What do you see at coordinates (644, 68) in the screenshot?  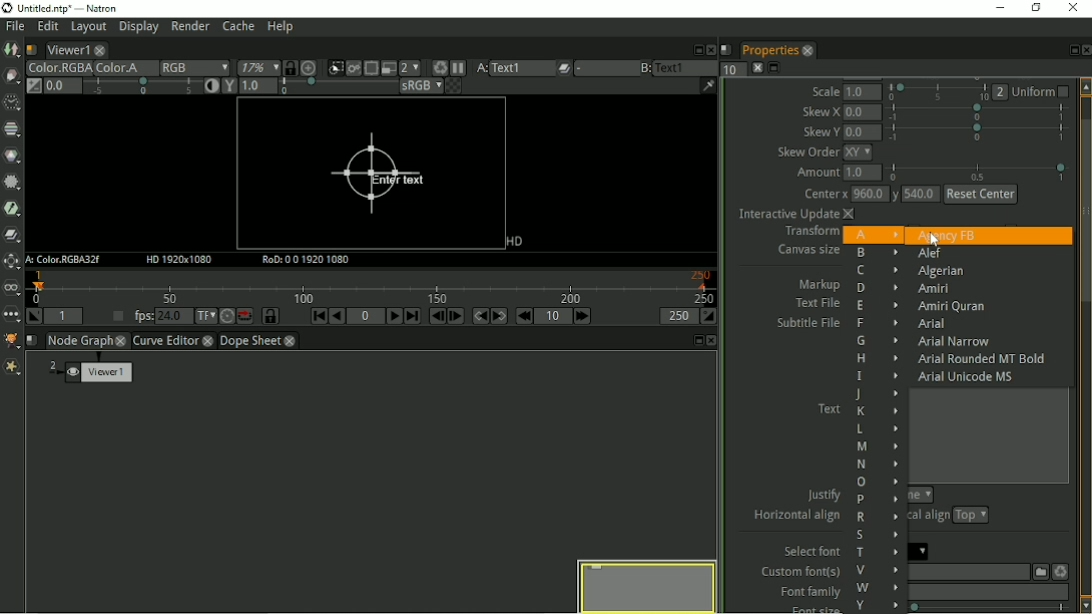 I see `B` at bounding box center [644, 68].